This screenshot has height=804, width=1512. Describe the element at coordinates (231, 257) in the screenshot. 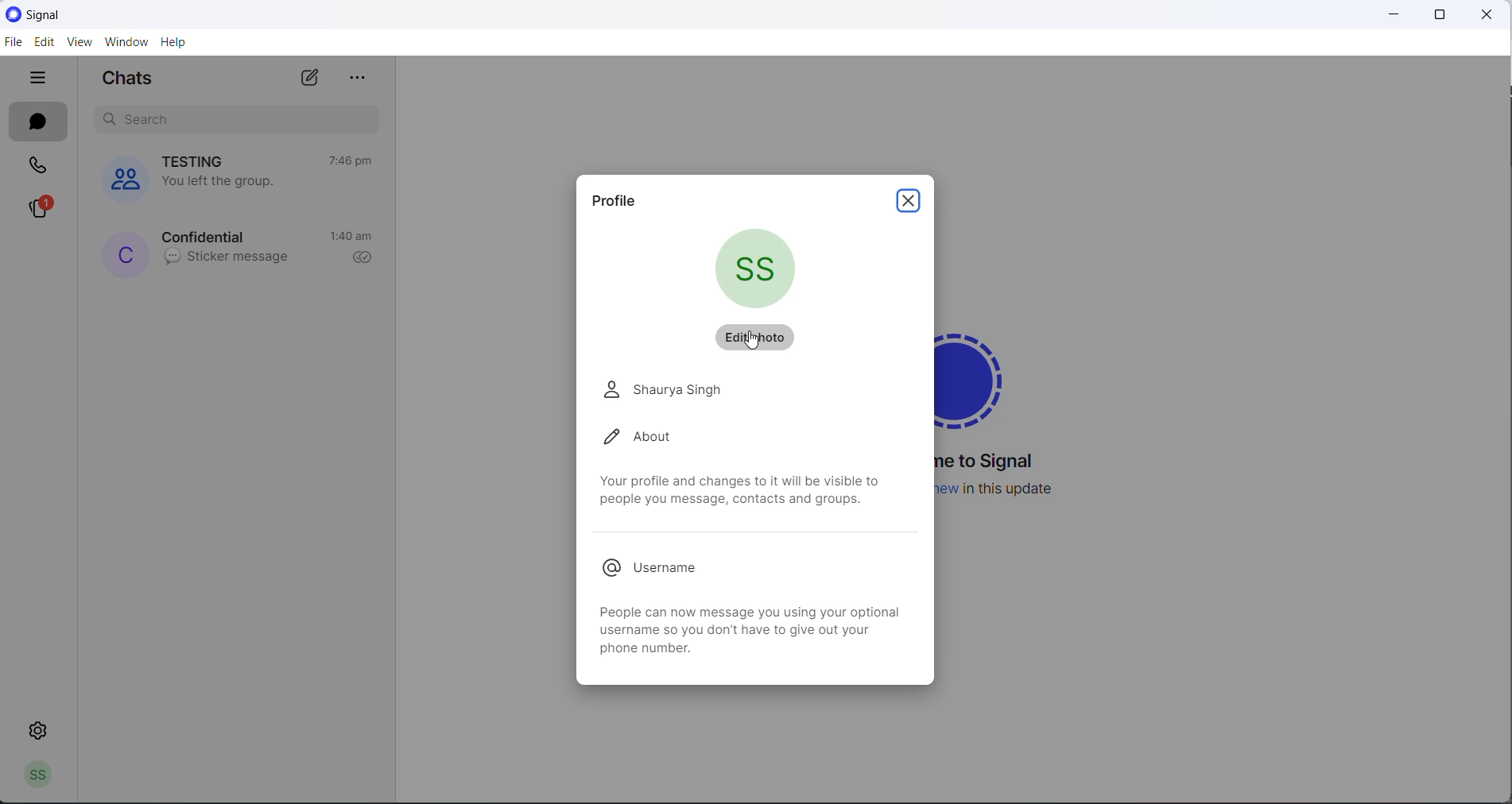

I see `last message` at that location.